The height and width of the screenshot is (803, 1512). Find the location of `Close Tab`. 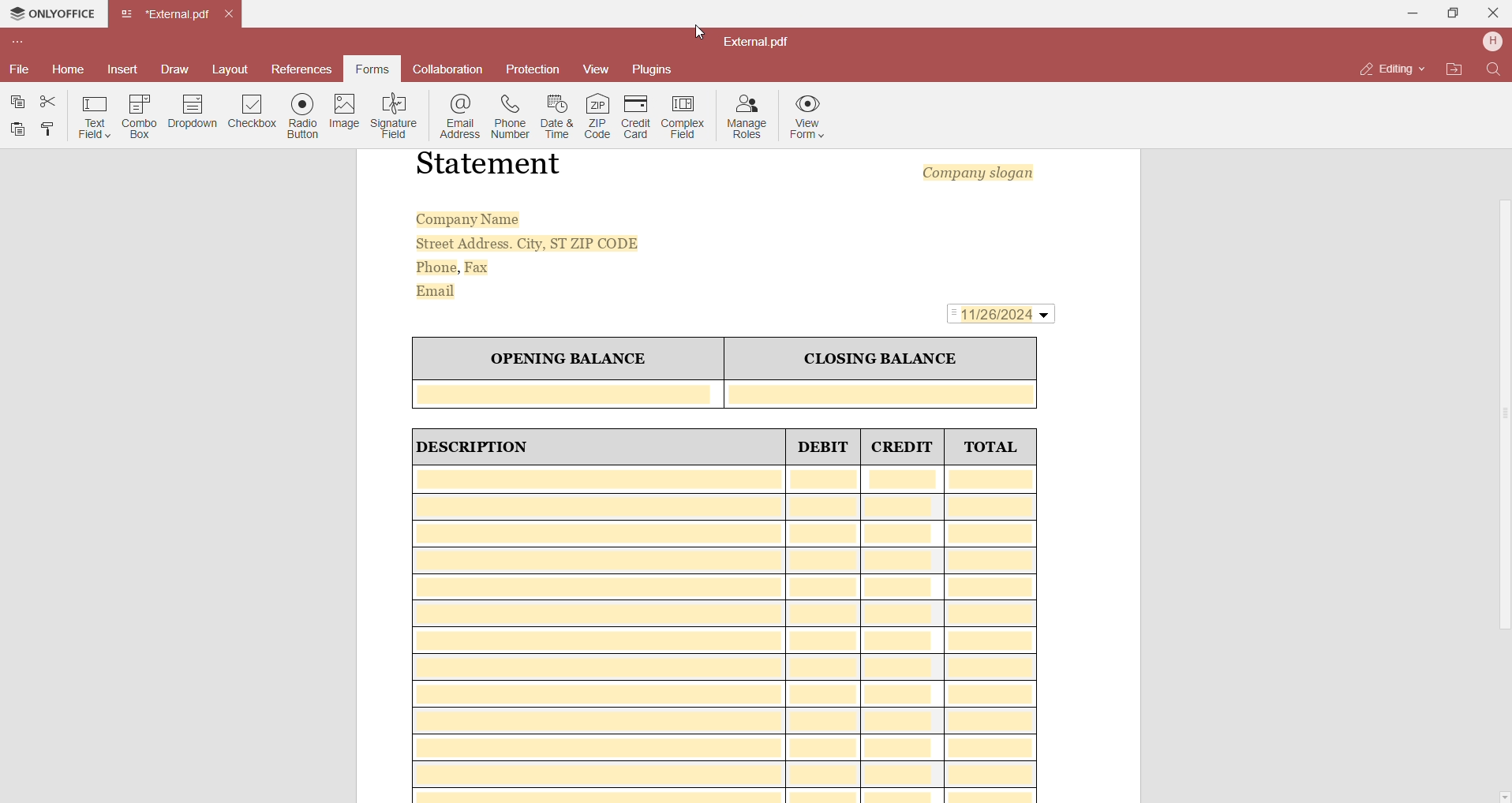

Close Tab is located at coordinates (231, 12).